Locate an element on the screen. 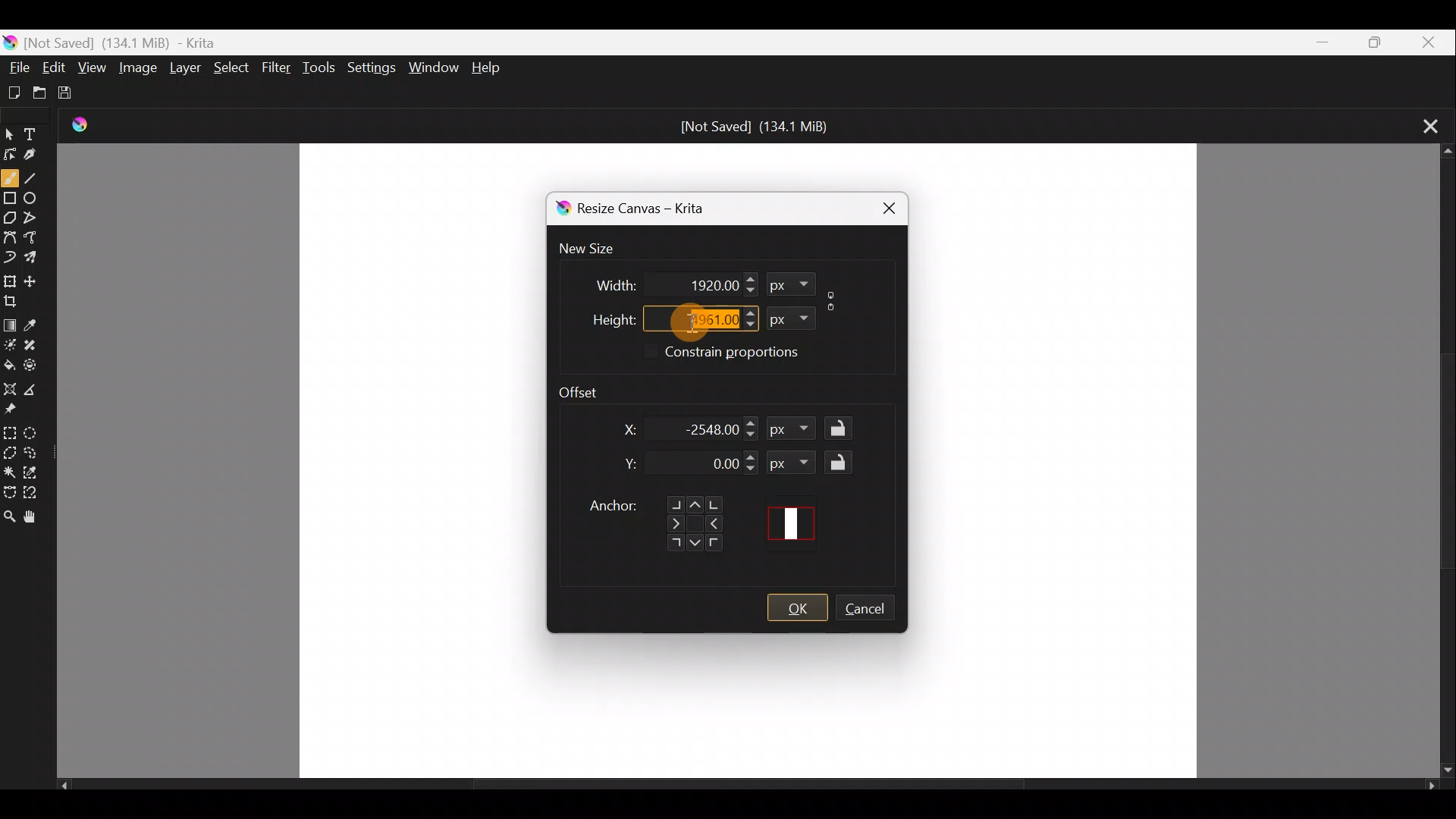 This screenshot has width=1456, height=819. Sample a colour from the image/current layer is located at coordinates (37, 321).